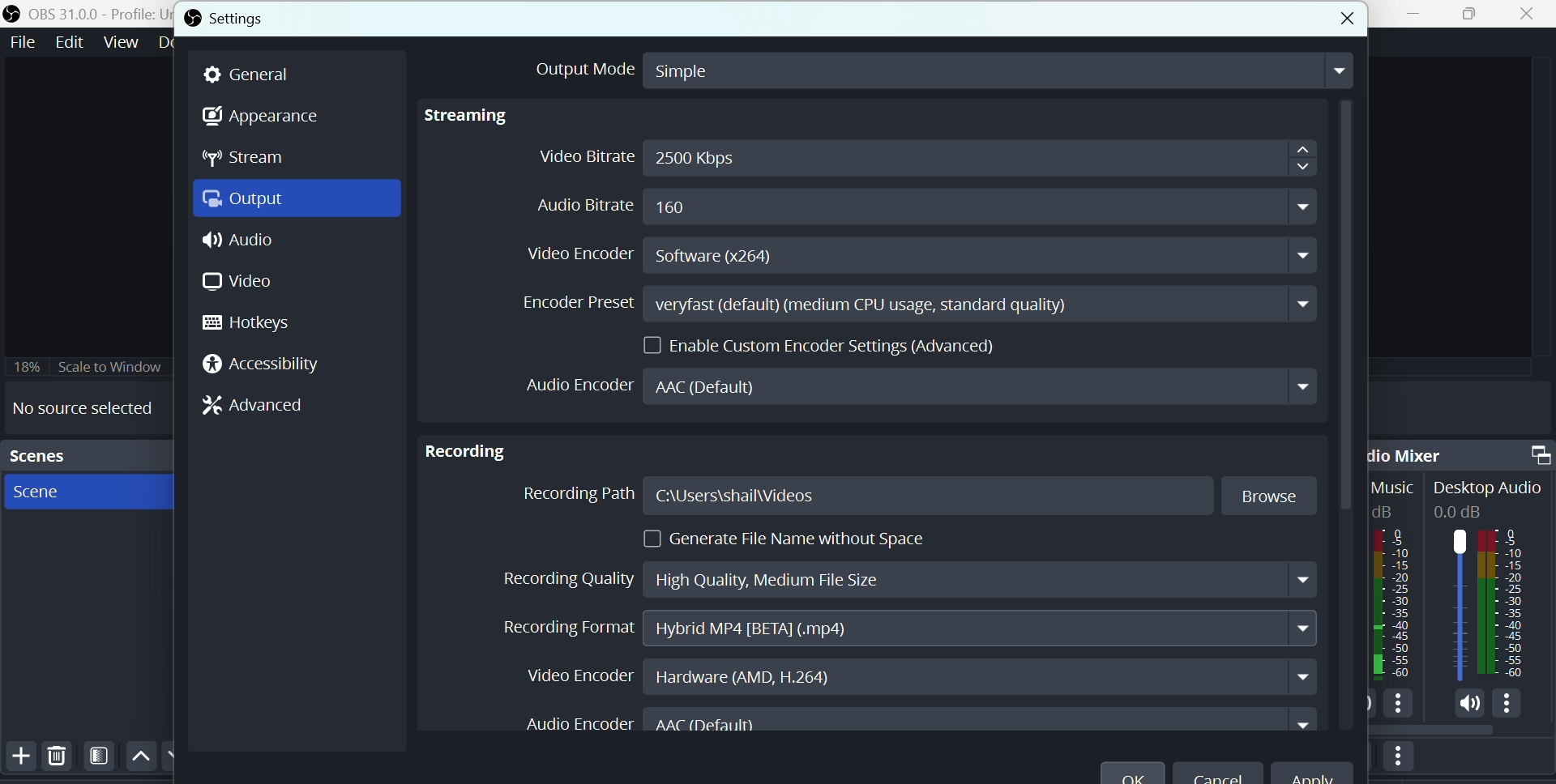 The image size is (1556, 784). Describe the element at coordinates (256, 117) in the screenshot. I see `Appearance` at that location.